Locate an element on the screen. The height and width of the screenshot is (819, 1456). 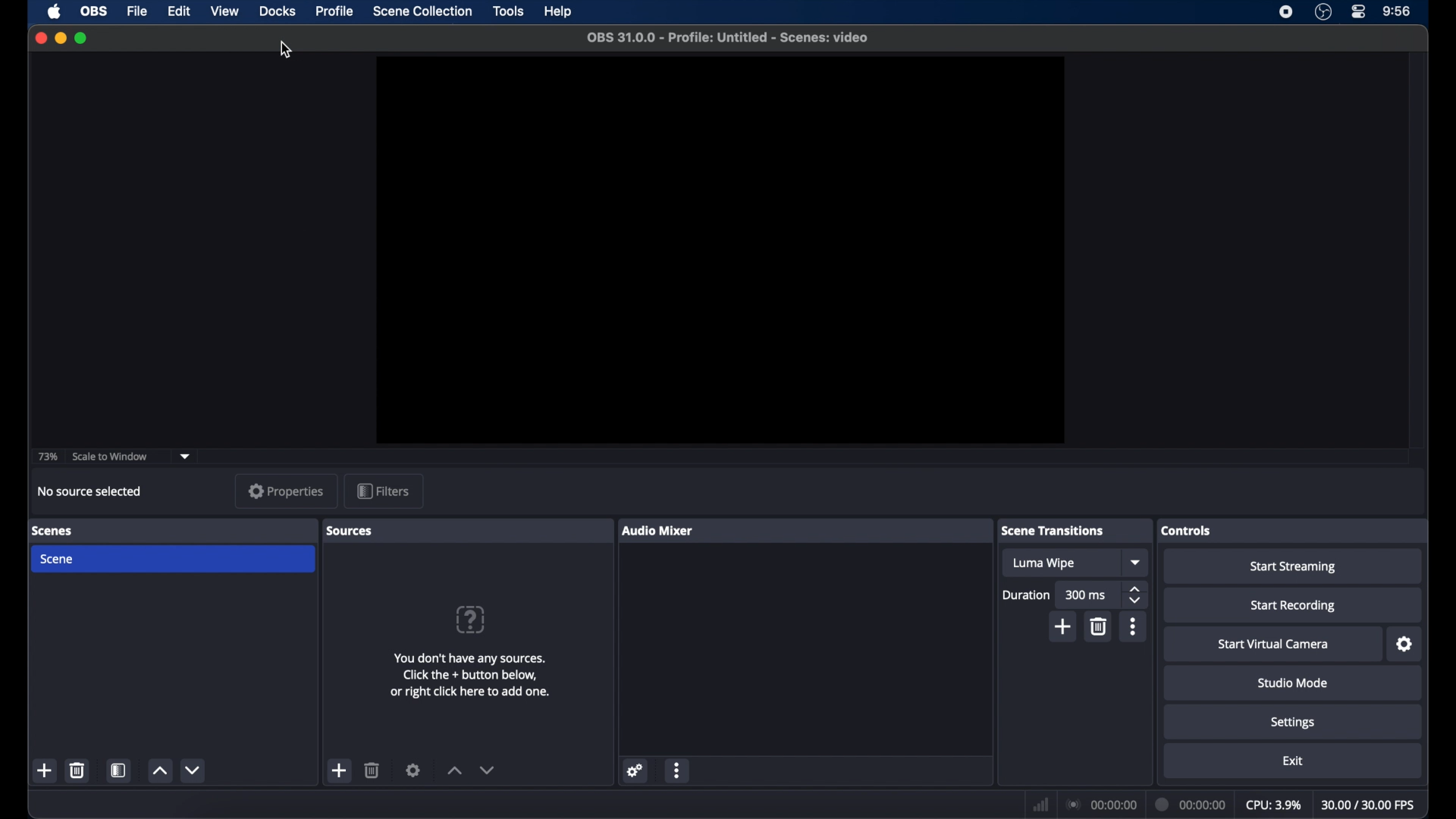
decrement is located at coordinates (193, 770).